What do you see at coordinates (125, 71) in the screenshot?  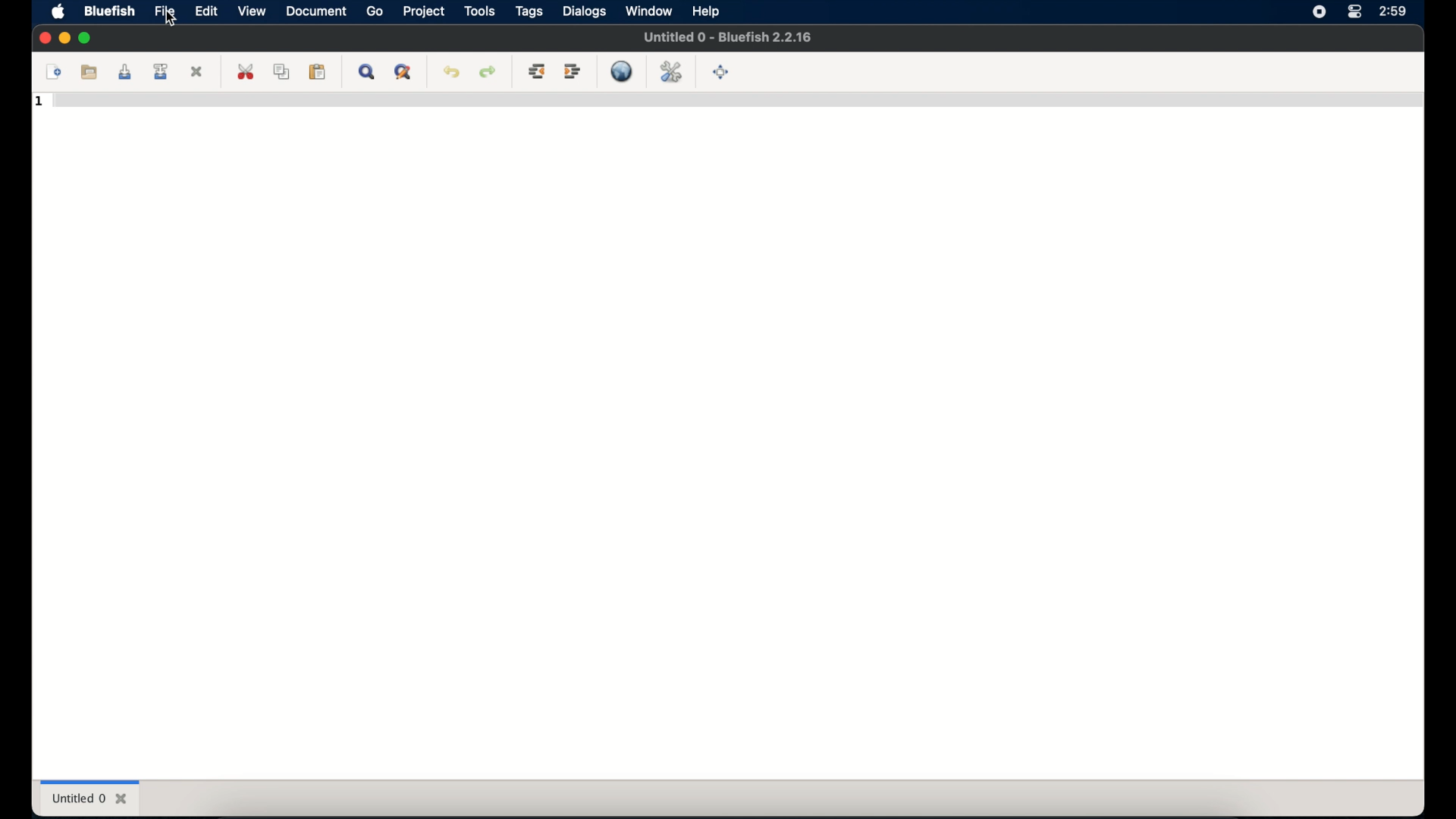 I see `save current file` at bounding box center [125, 71].